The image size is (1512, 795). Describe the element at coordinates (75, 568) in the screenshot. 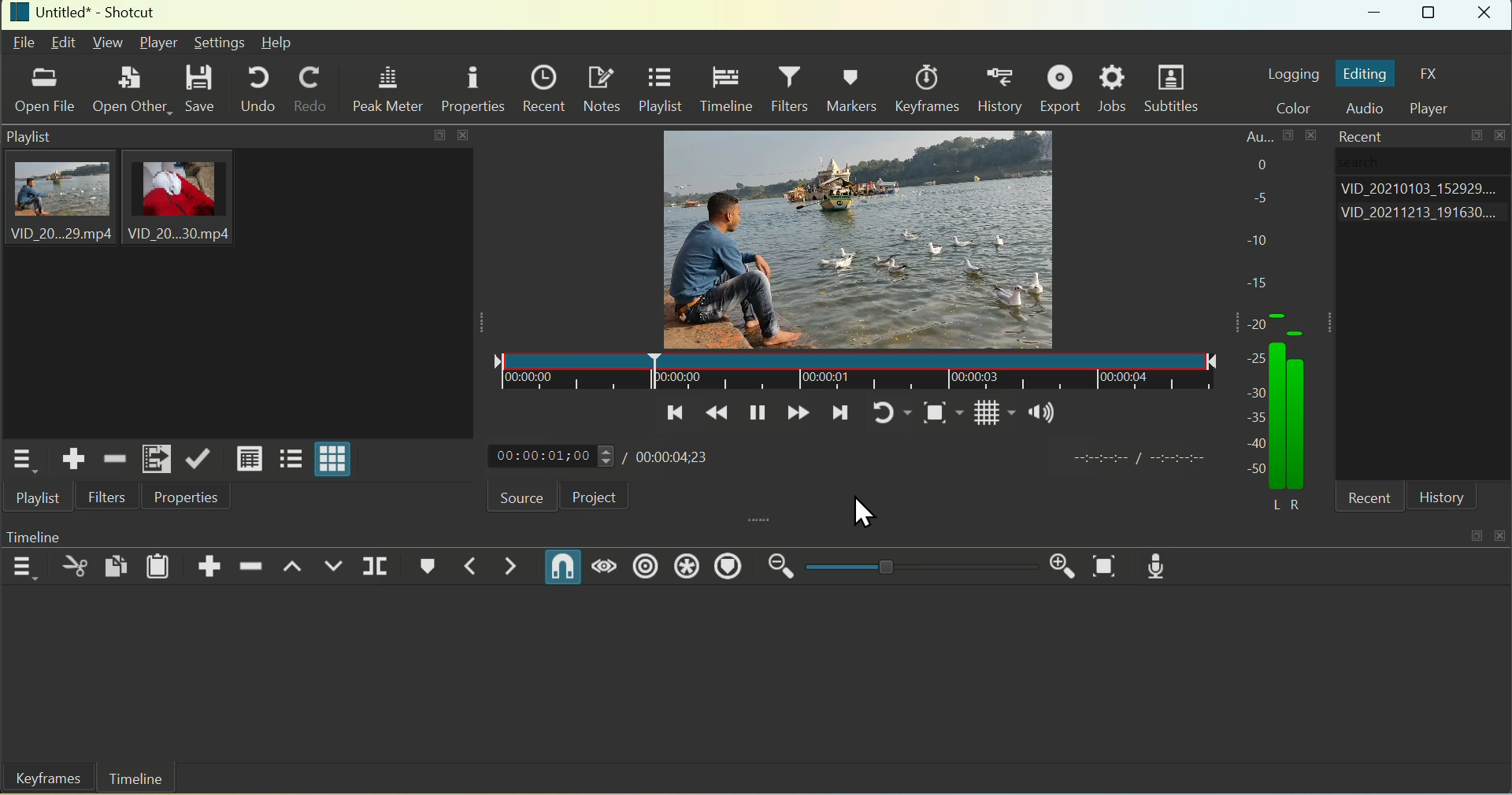

I see `Cut` at that location.